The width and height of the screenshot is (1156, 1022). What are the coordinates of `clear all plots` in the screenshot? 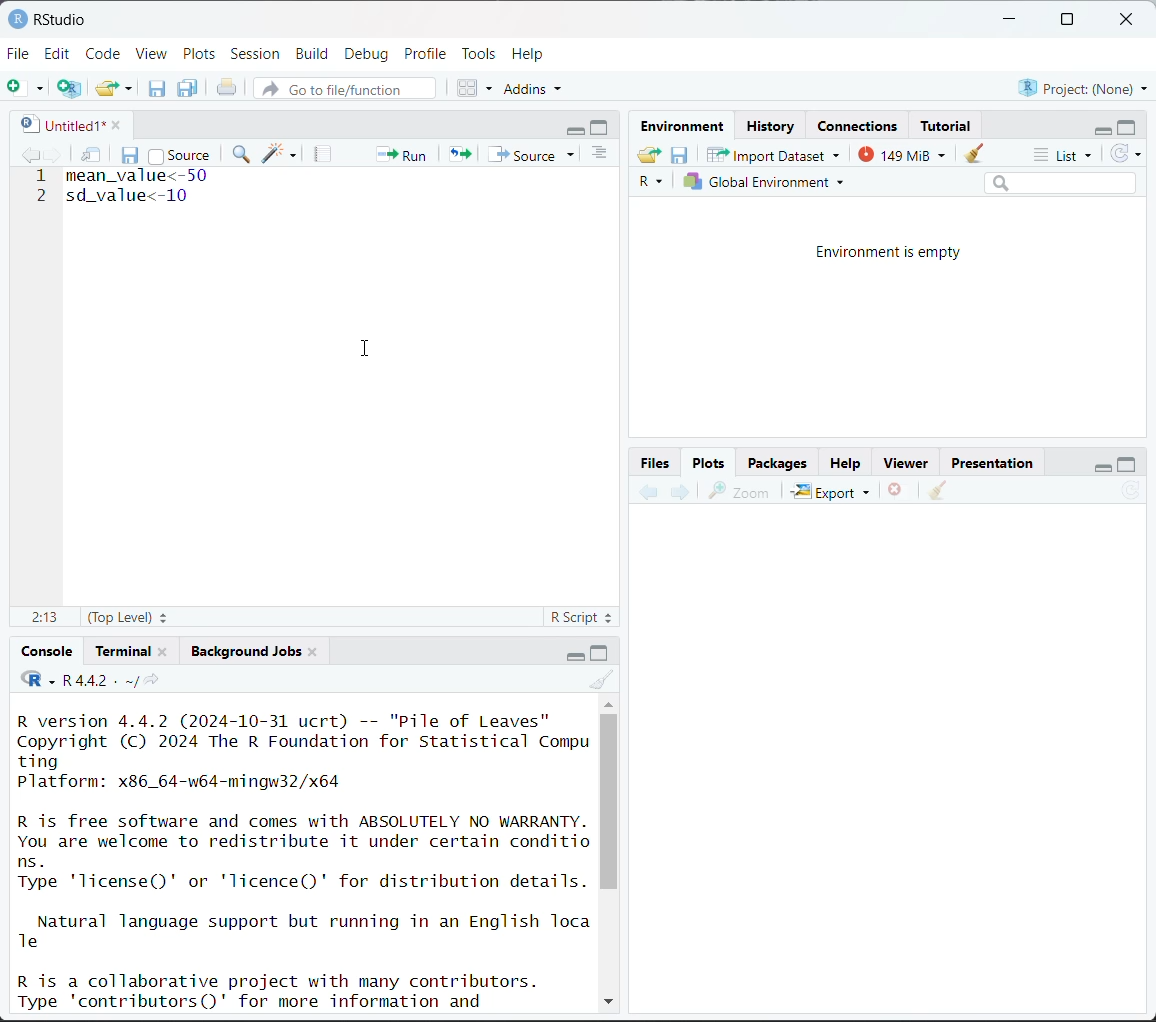 It's located at (938, 491).